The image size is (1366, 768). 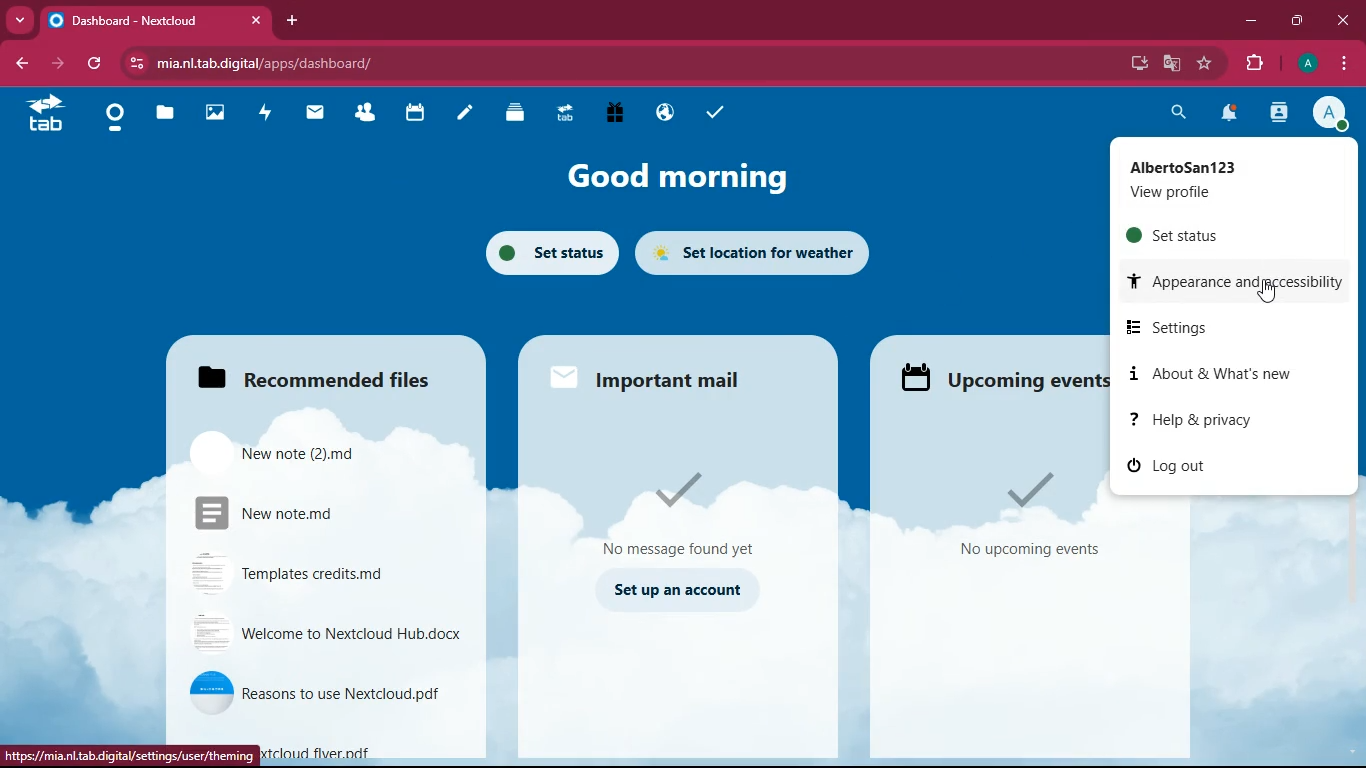 I want to click on google translate, so click(x=1170, y=63).